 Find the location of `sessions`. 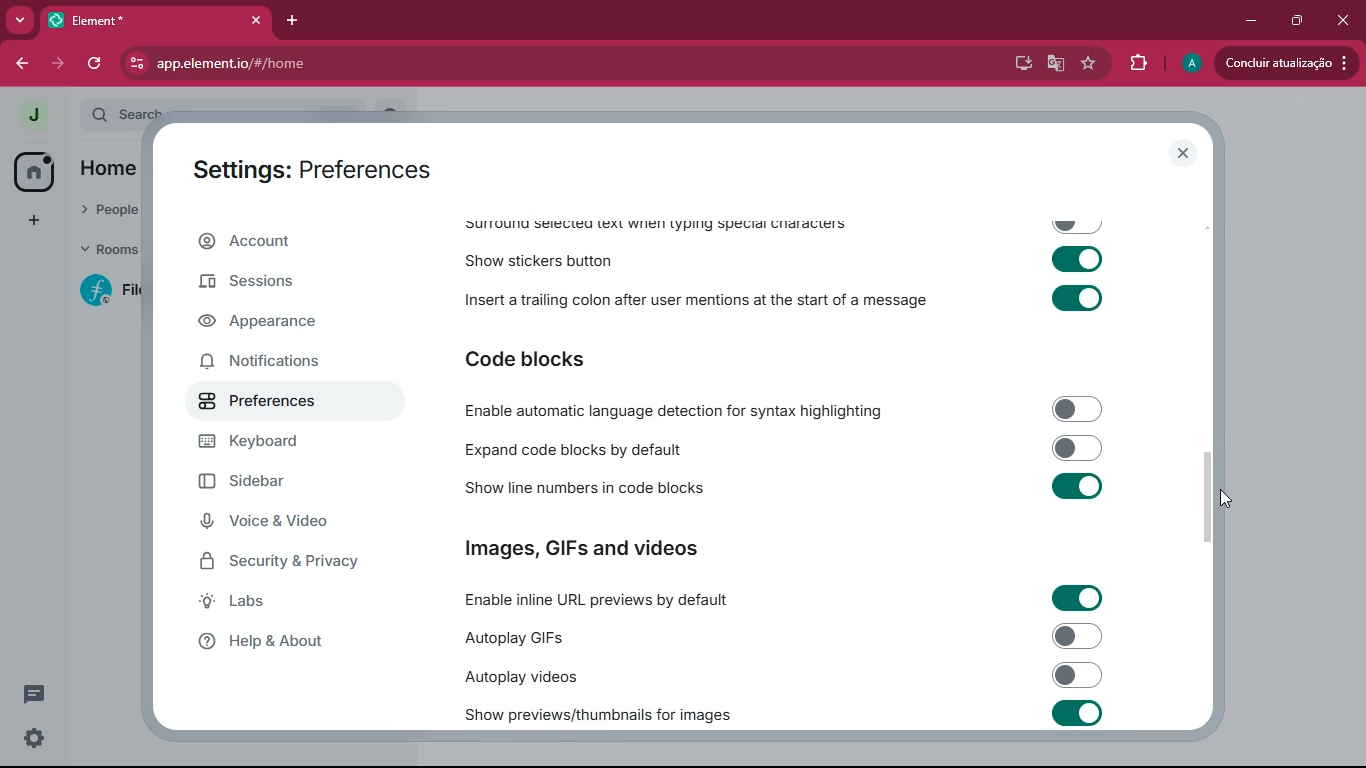

sessions is located at coordinates (284, 280).